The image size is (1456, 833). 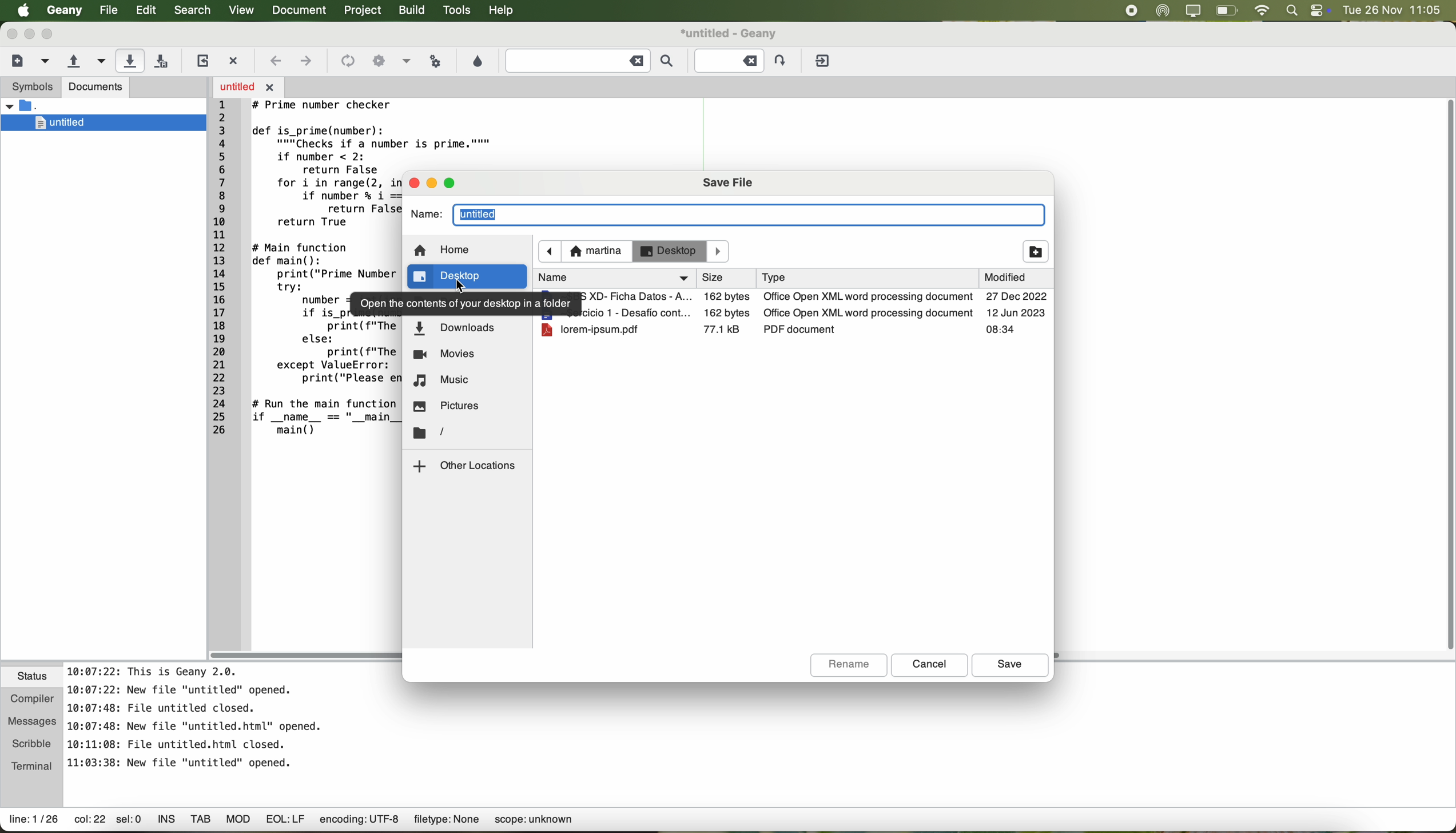 I want to click on location folder, so click(x=467, y=433).